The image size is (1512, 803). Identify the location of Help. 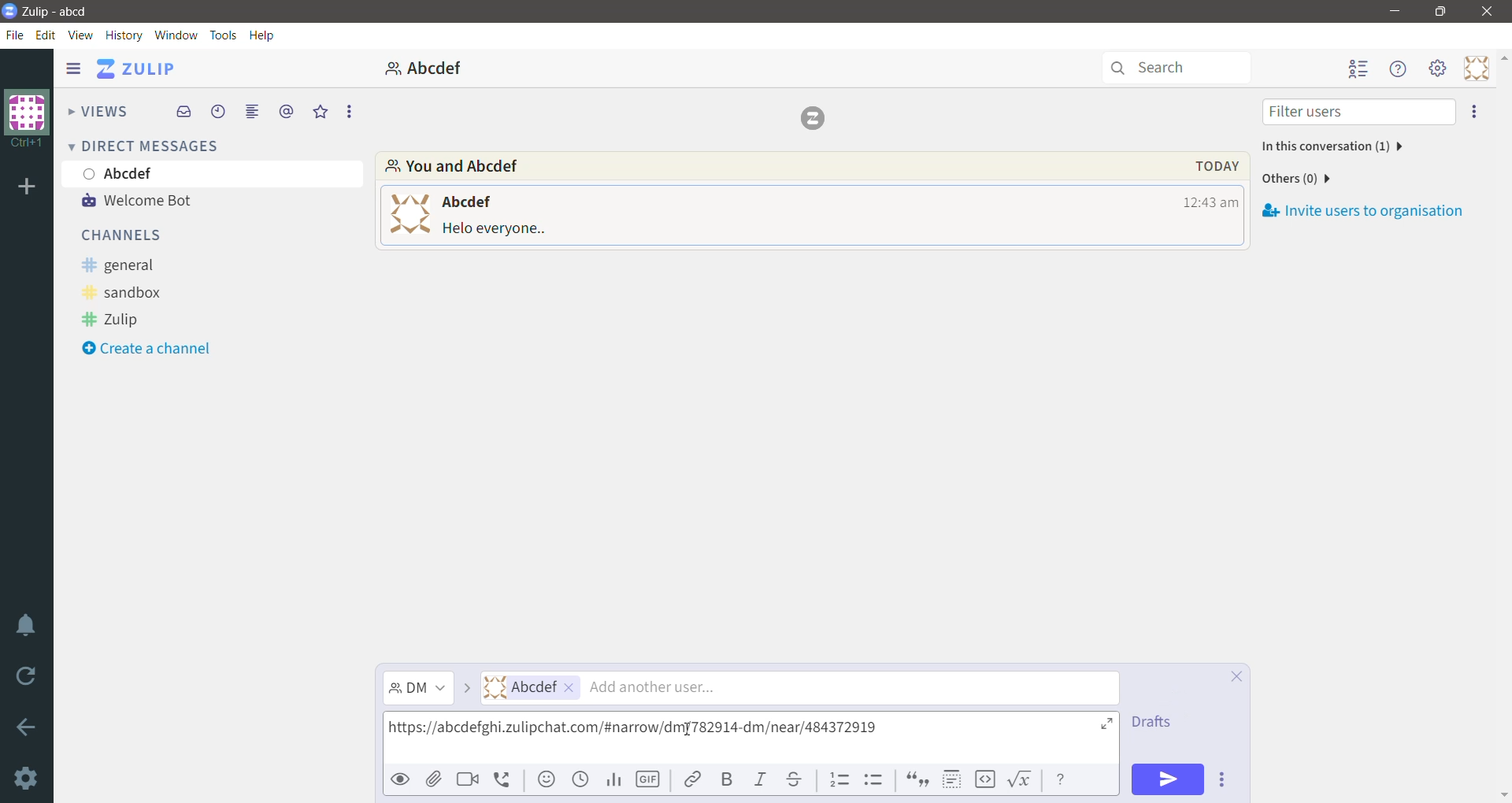
(265, 35).